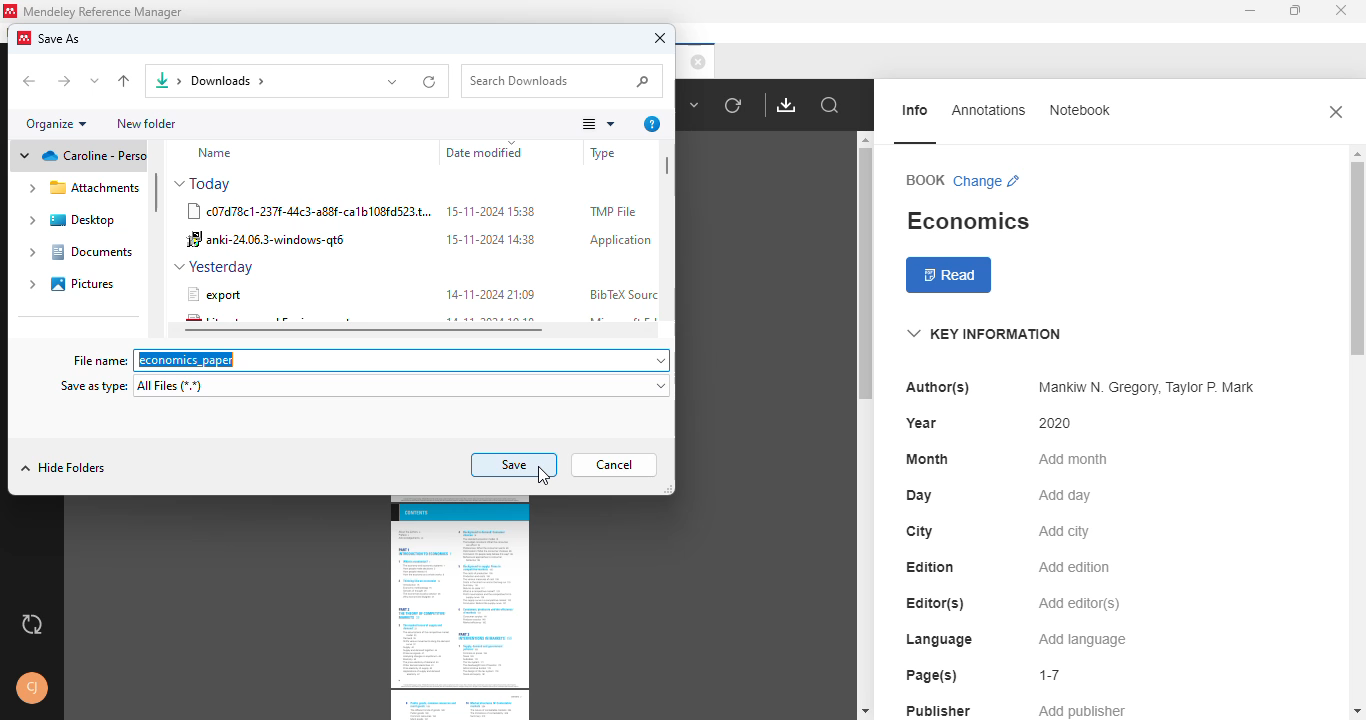 The height and width of the screenshot is (720, 1366). I want to click on save as type, so click(95, 387).